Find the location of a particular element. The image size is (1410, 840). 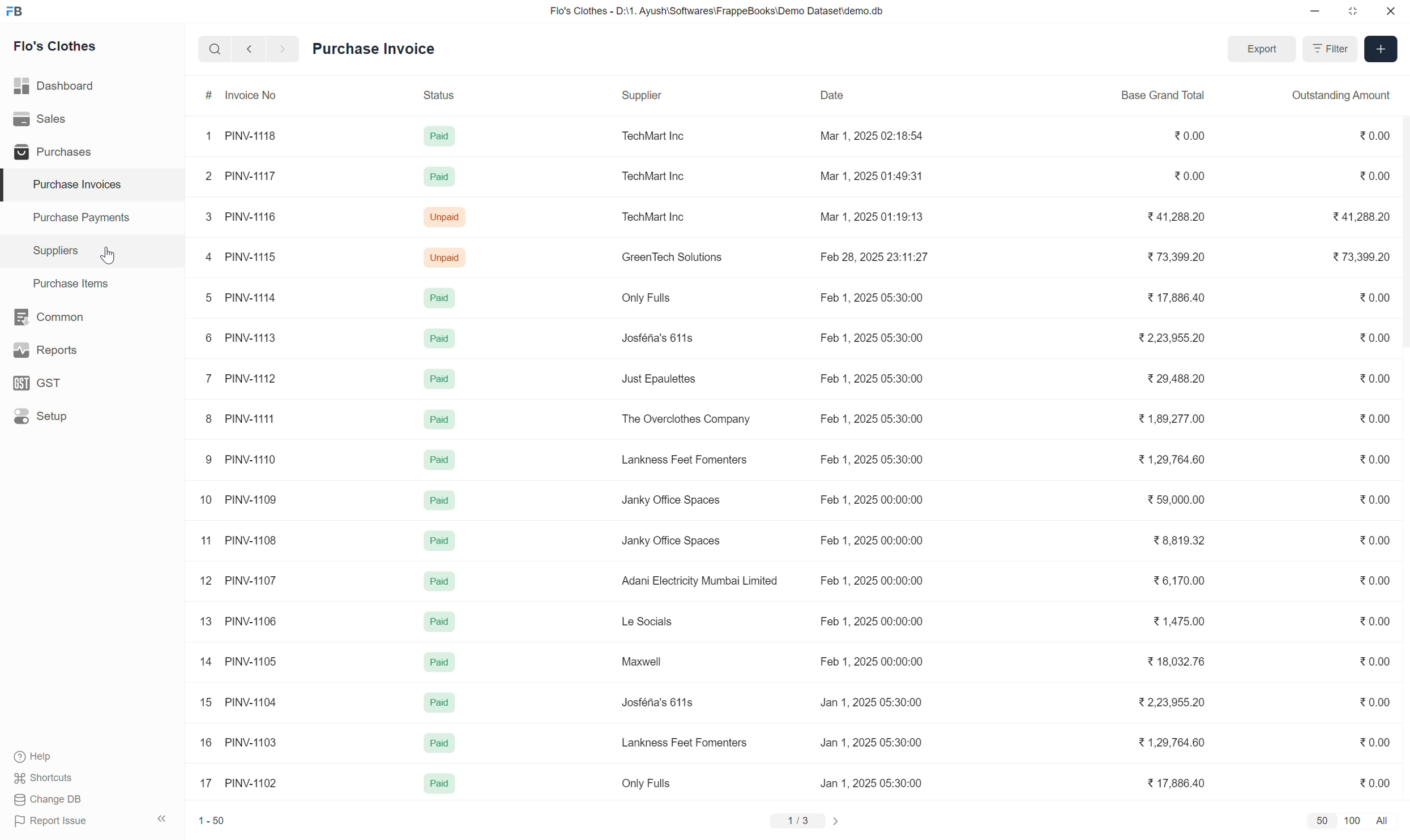

30.00 is located at coordinates (1371, 660).